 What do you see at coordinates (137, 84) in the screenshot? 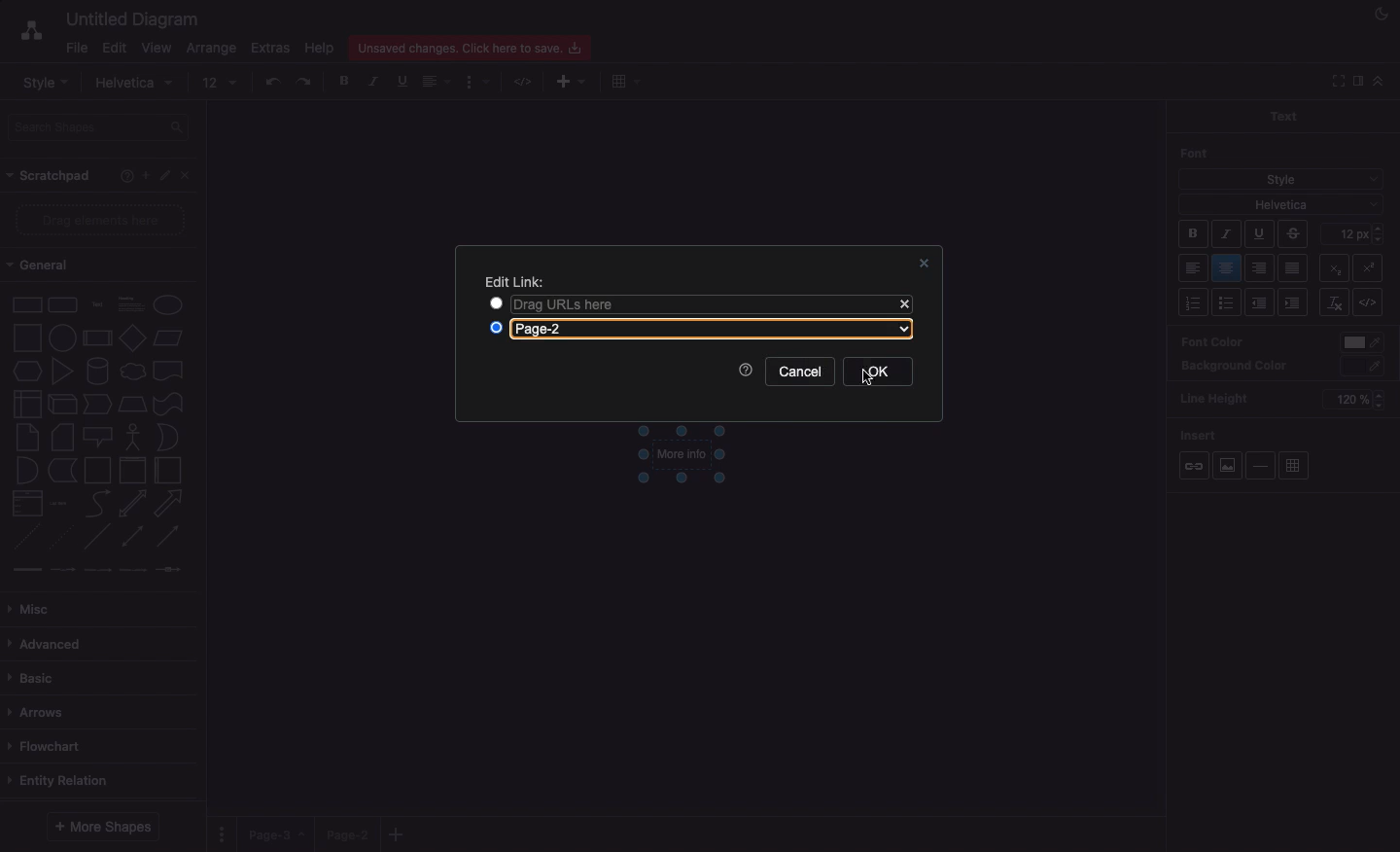
I see `Helvetica` at bounding box center [137, 84].